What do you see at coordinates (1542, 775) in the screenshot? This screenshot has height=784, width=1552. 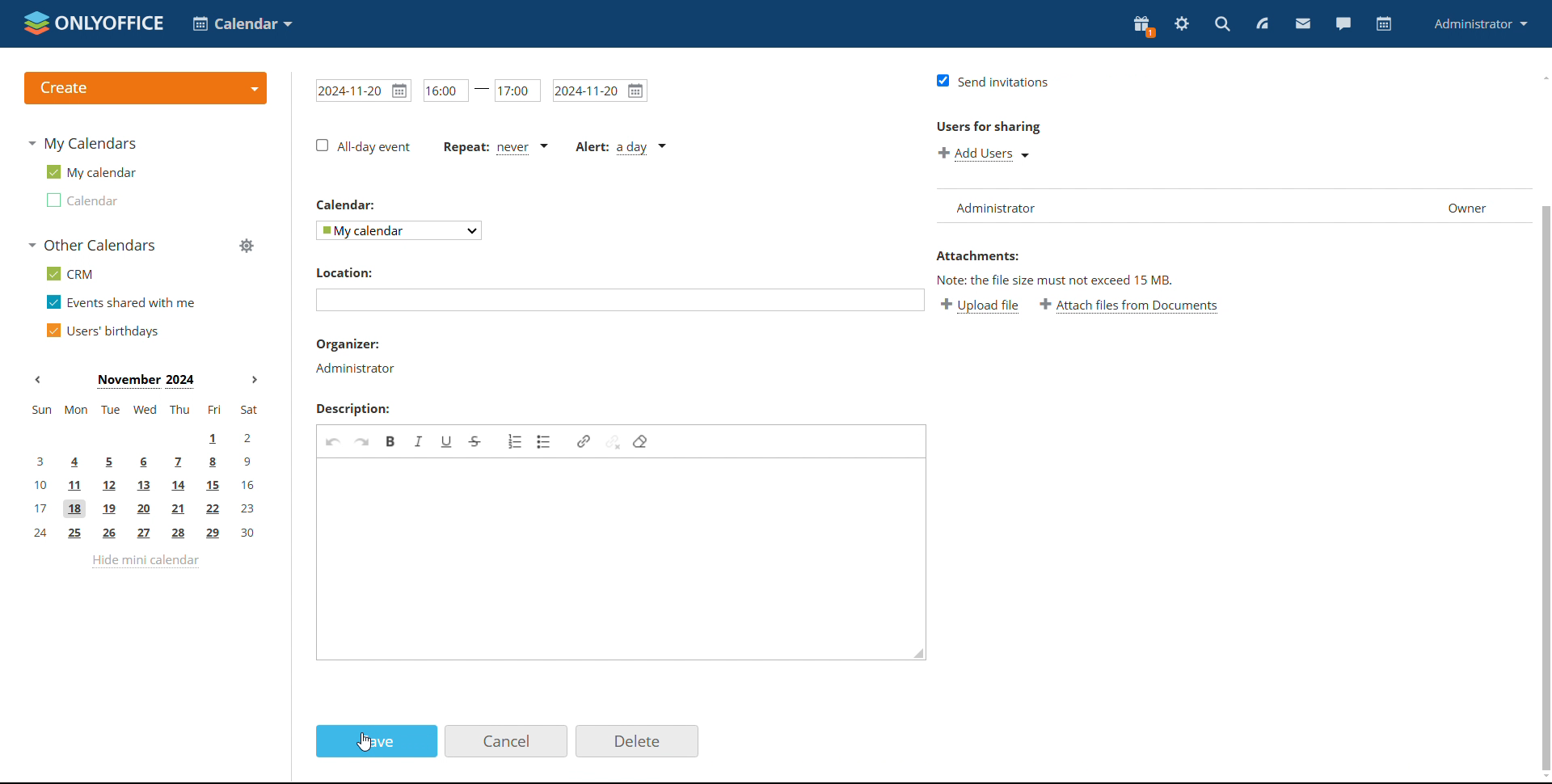 I see `scroll down` at bounding box center [1542, 775].